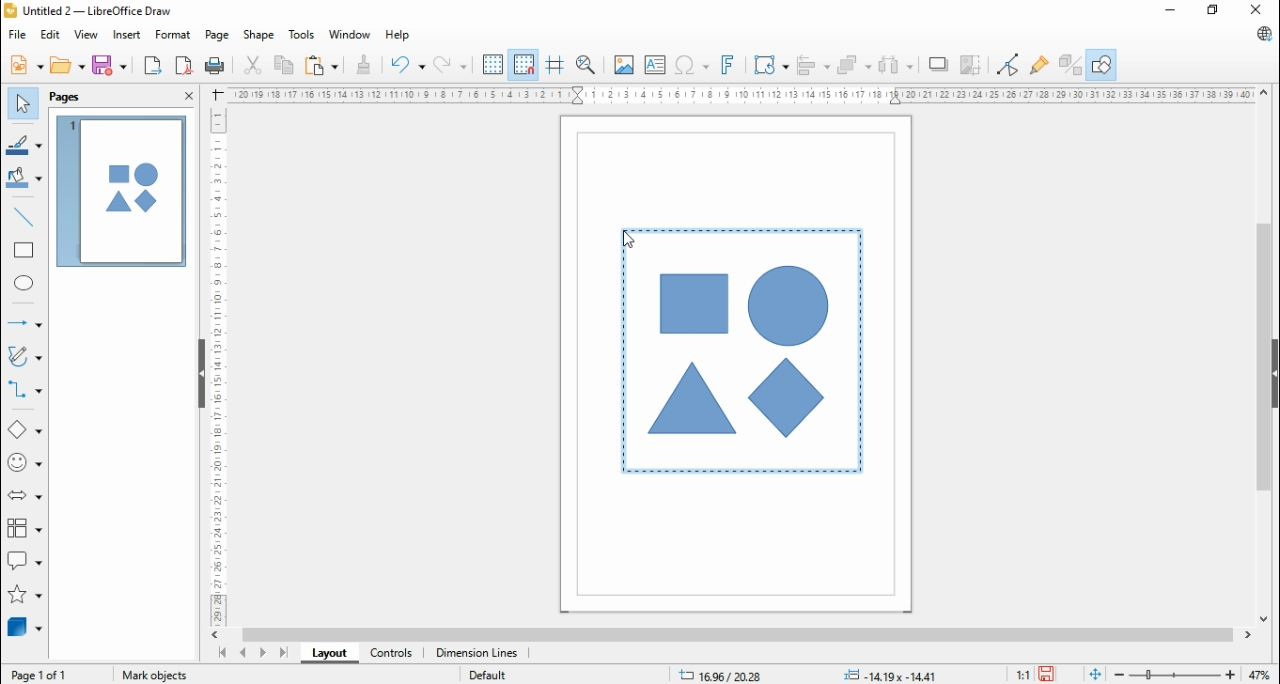  I want to click on mark objects, so click(151, 675).